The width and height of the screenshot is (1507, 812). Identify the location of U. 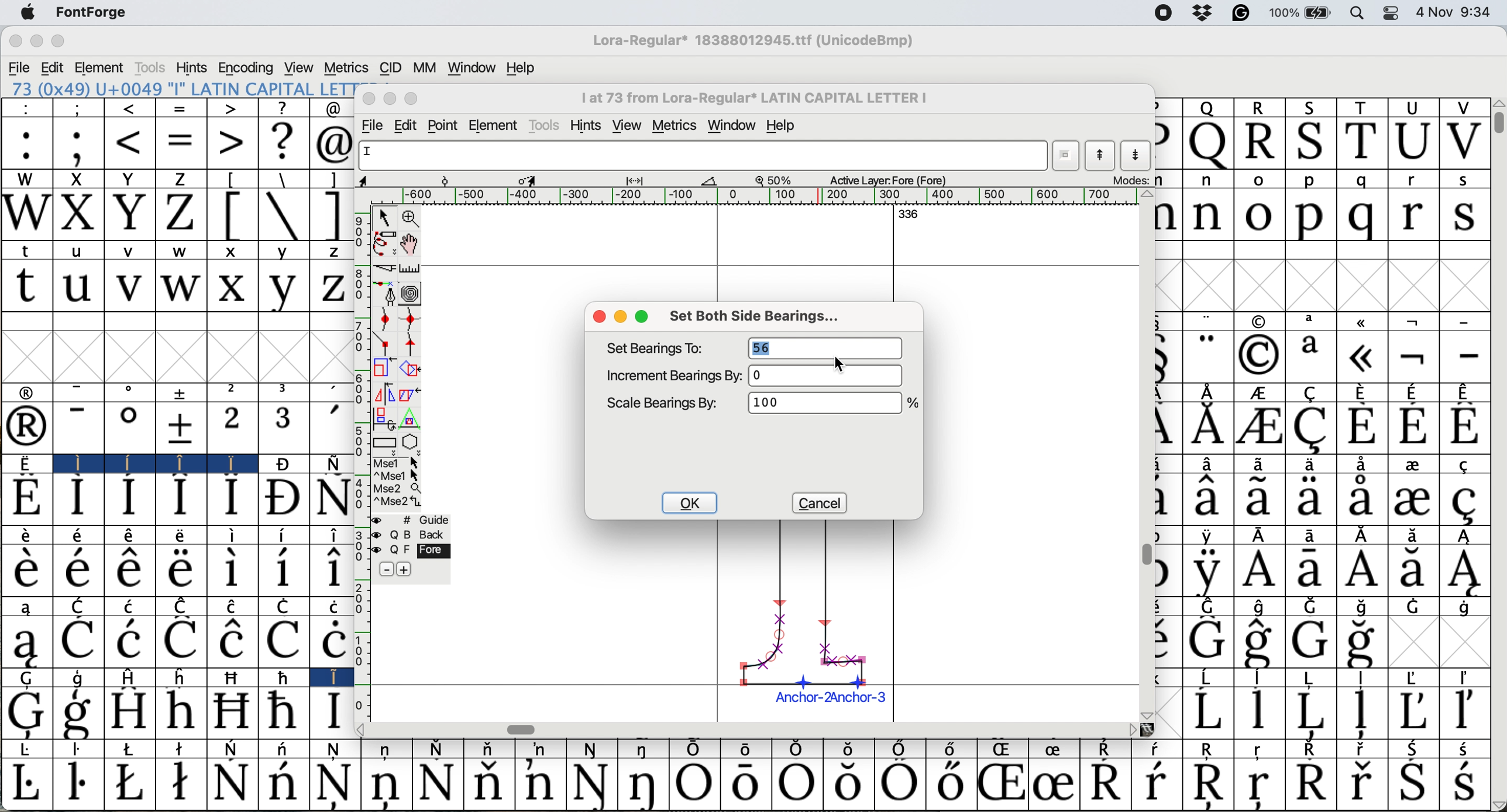
(1414, 107).